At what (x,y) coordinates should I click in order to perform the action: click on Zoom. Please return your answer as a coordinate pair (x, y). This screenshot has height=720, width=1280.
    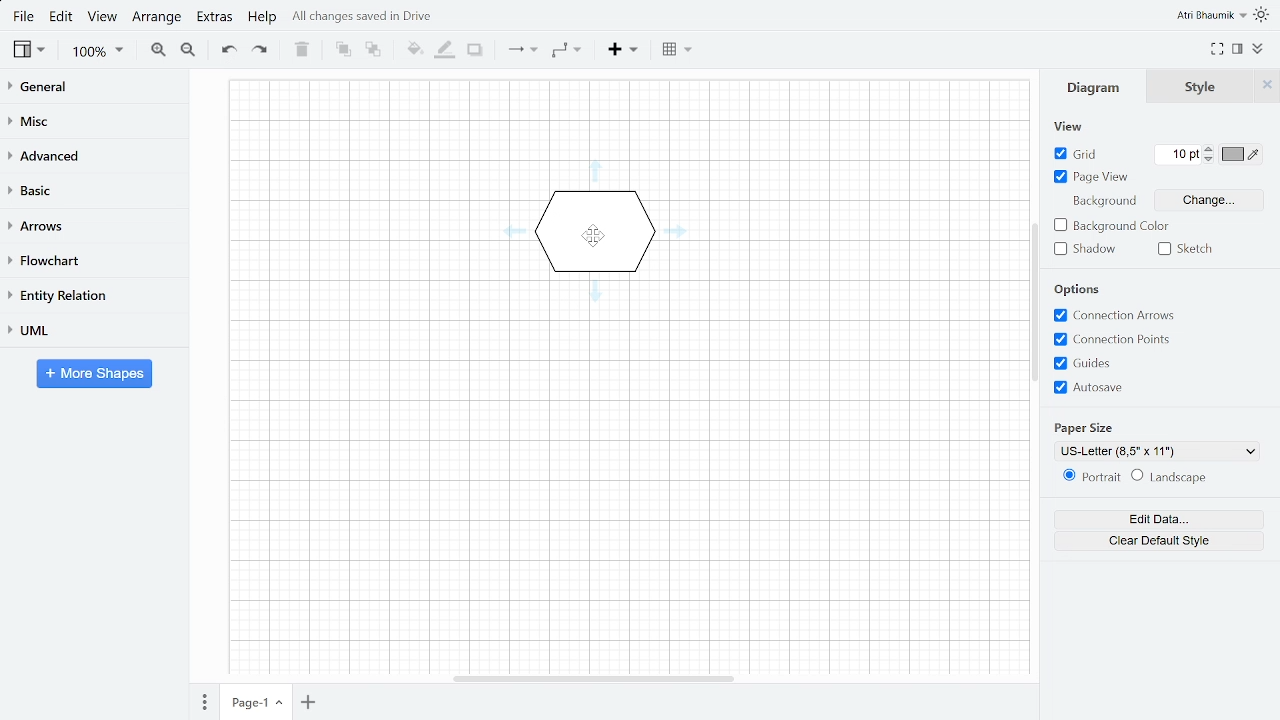
    Looking at the image, I should click on (96, 53).